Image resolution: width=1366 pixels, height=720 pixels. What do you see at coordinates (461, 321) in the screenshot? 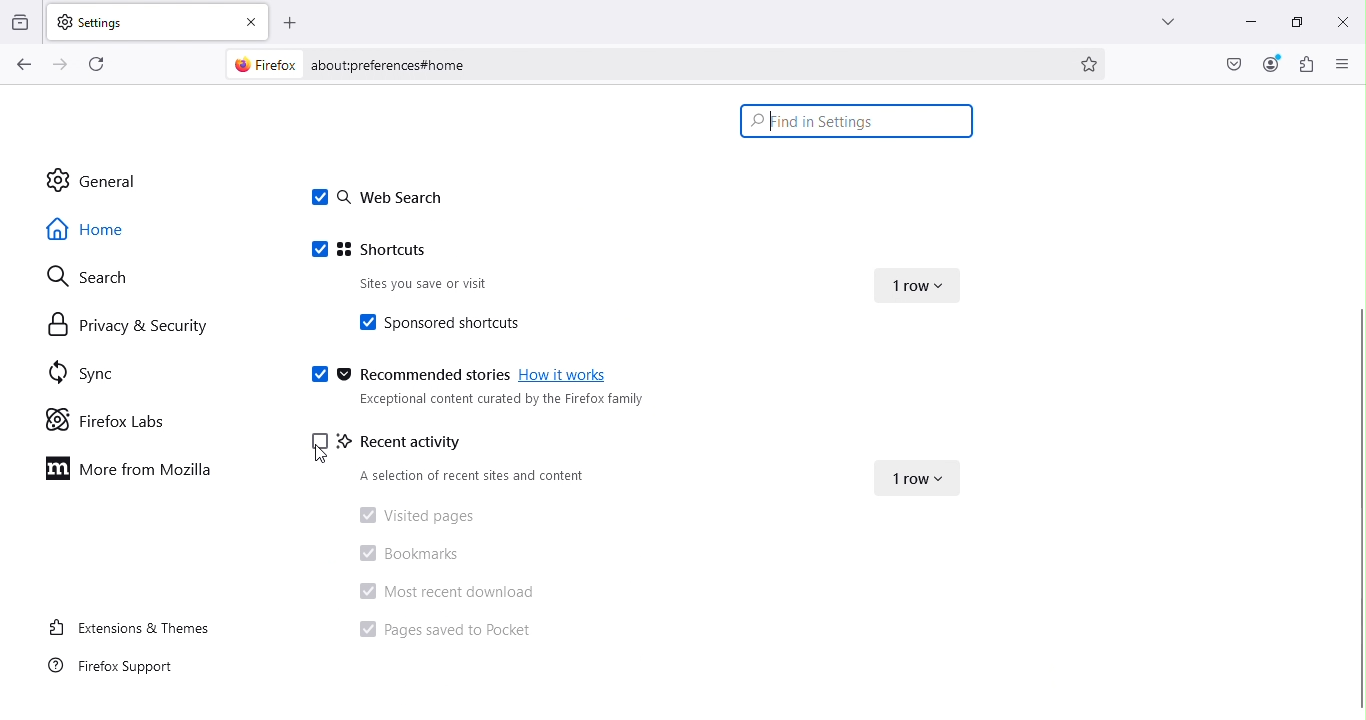
I see `Sponsored shortcuts` at bounding box center [461, 321].